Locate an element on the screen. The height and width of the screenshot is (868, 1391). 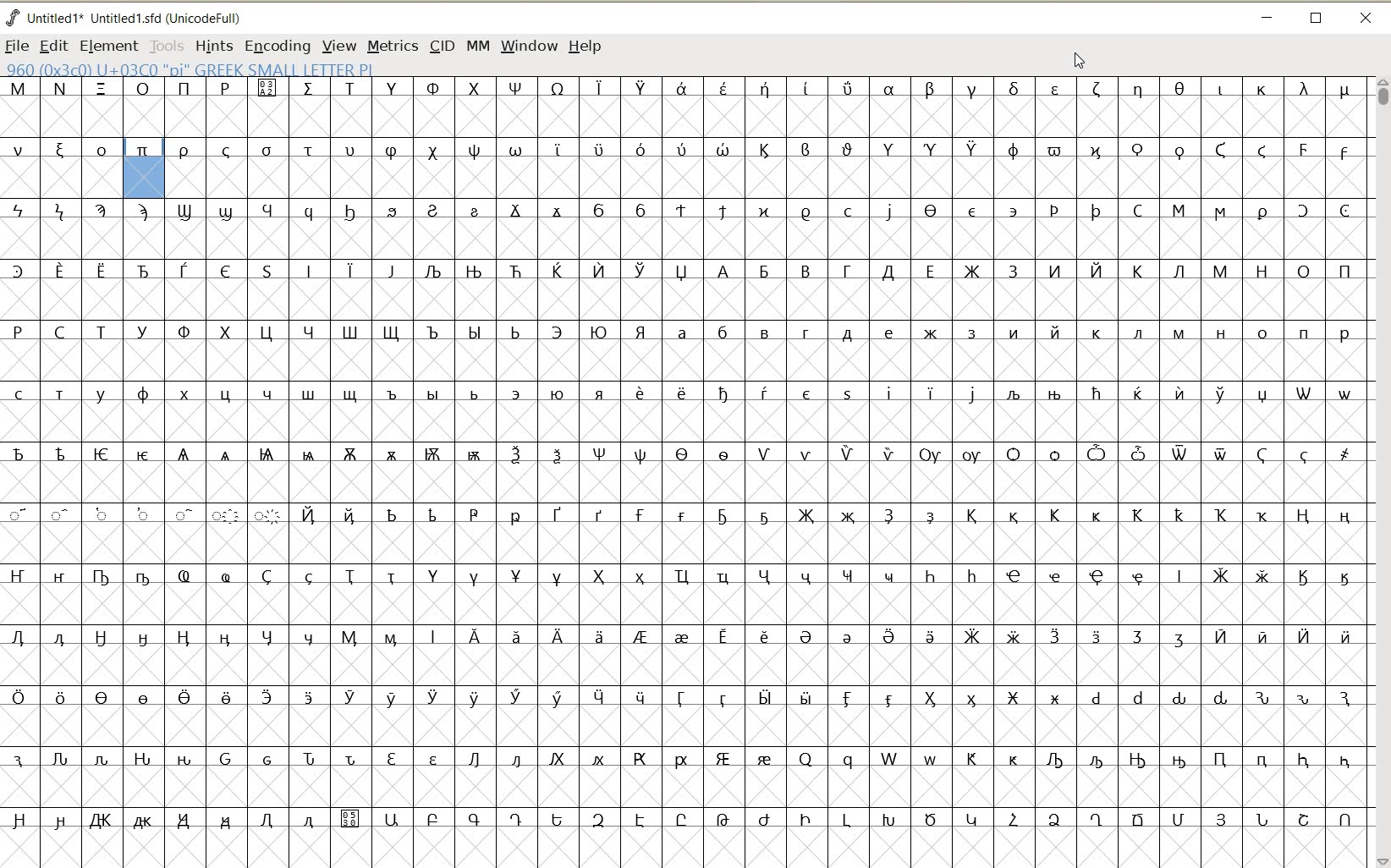
EDIT is located at coordinates (53, 46).